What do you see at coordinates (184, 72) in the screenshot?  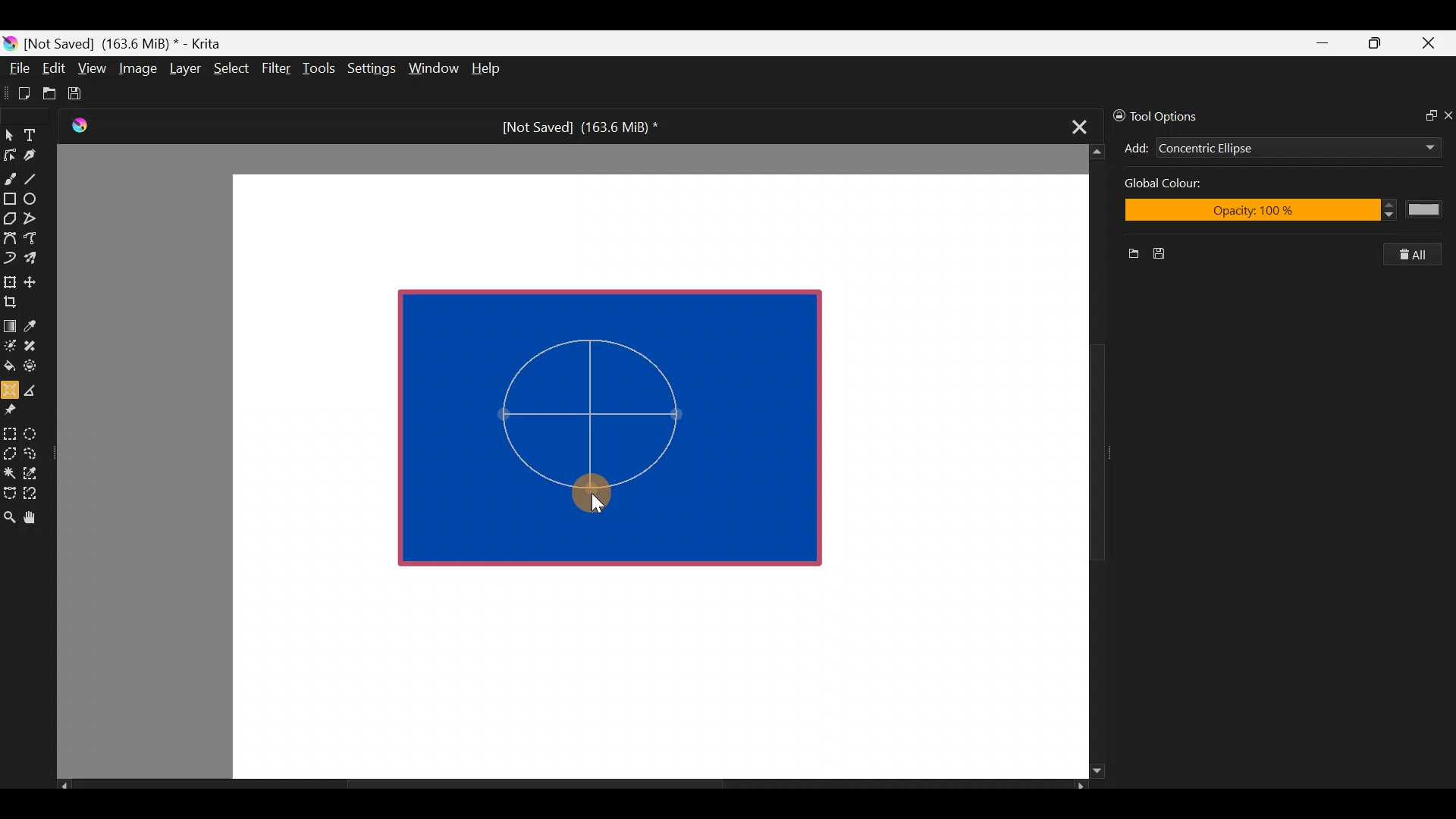 I see `Layer` at bounding box center [184, 72].